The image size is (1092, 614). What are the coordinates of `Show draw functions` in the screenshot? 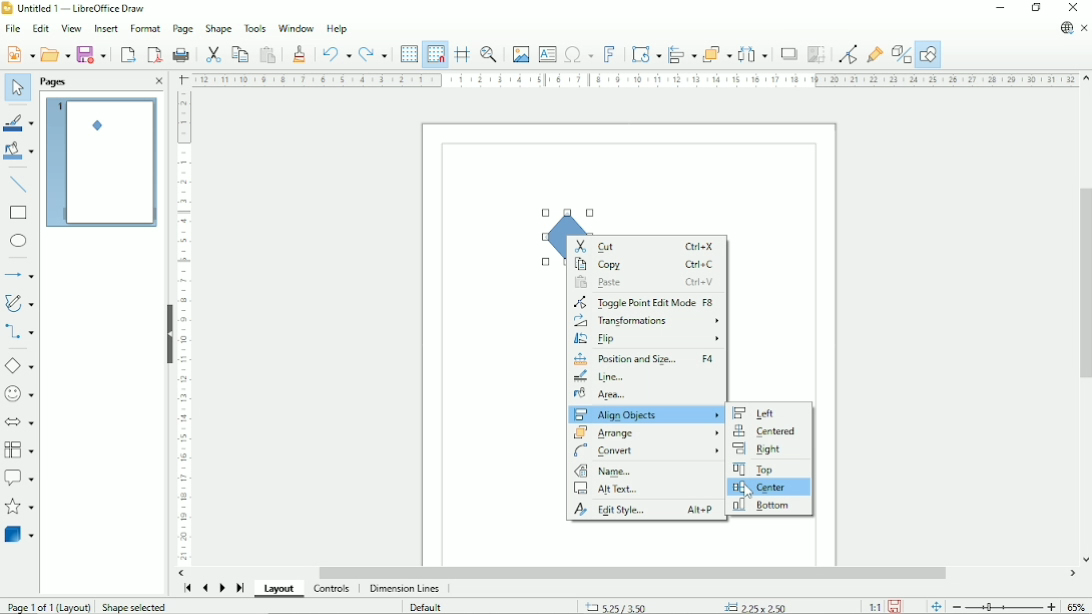 It's located at (929, 54).